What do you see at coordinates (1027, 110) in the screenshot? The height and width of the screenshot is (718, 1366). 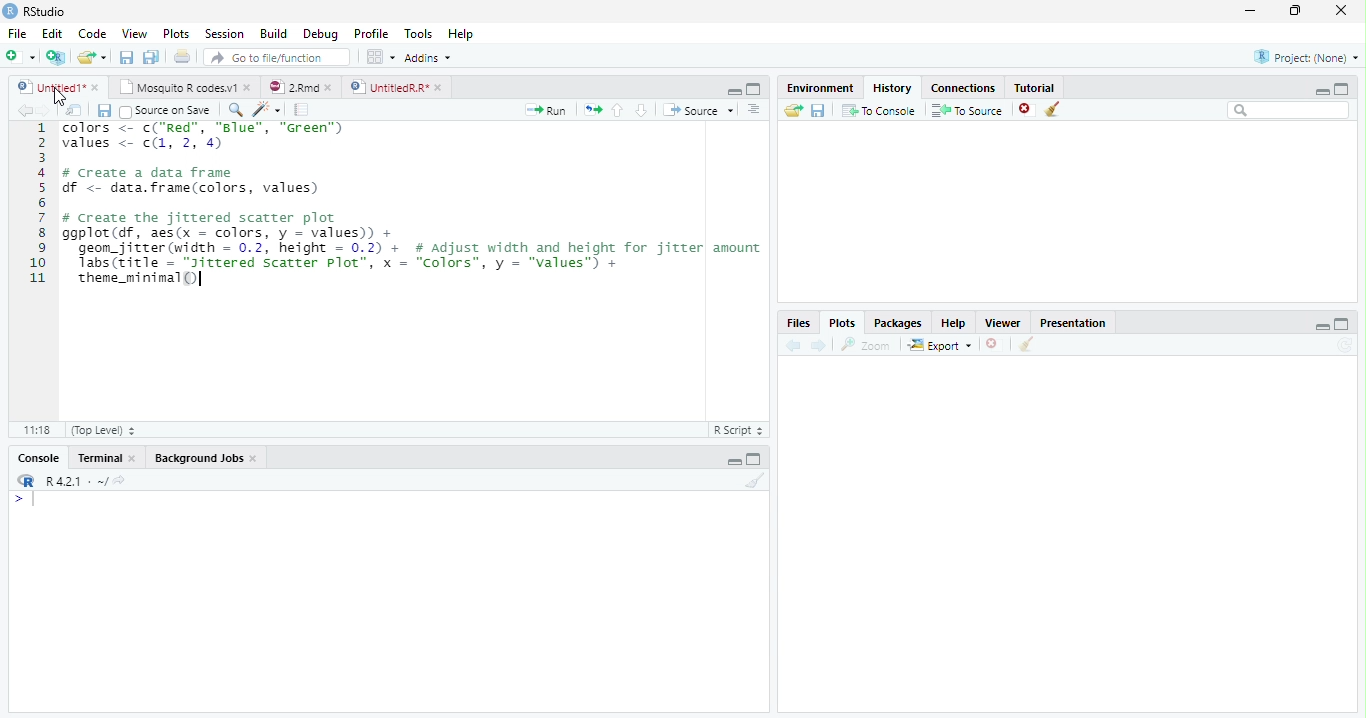 I see `Remove the selected history entries` at bounding box center [1027, 110].